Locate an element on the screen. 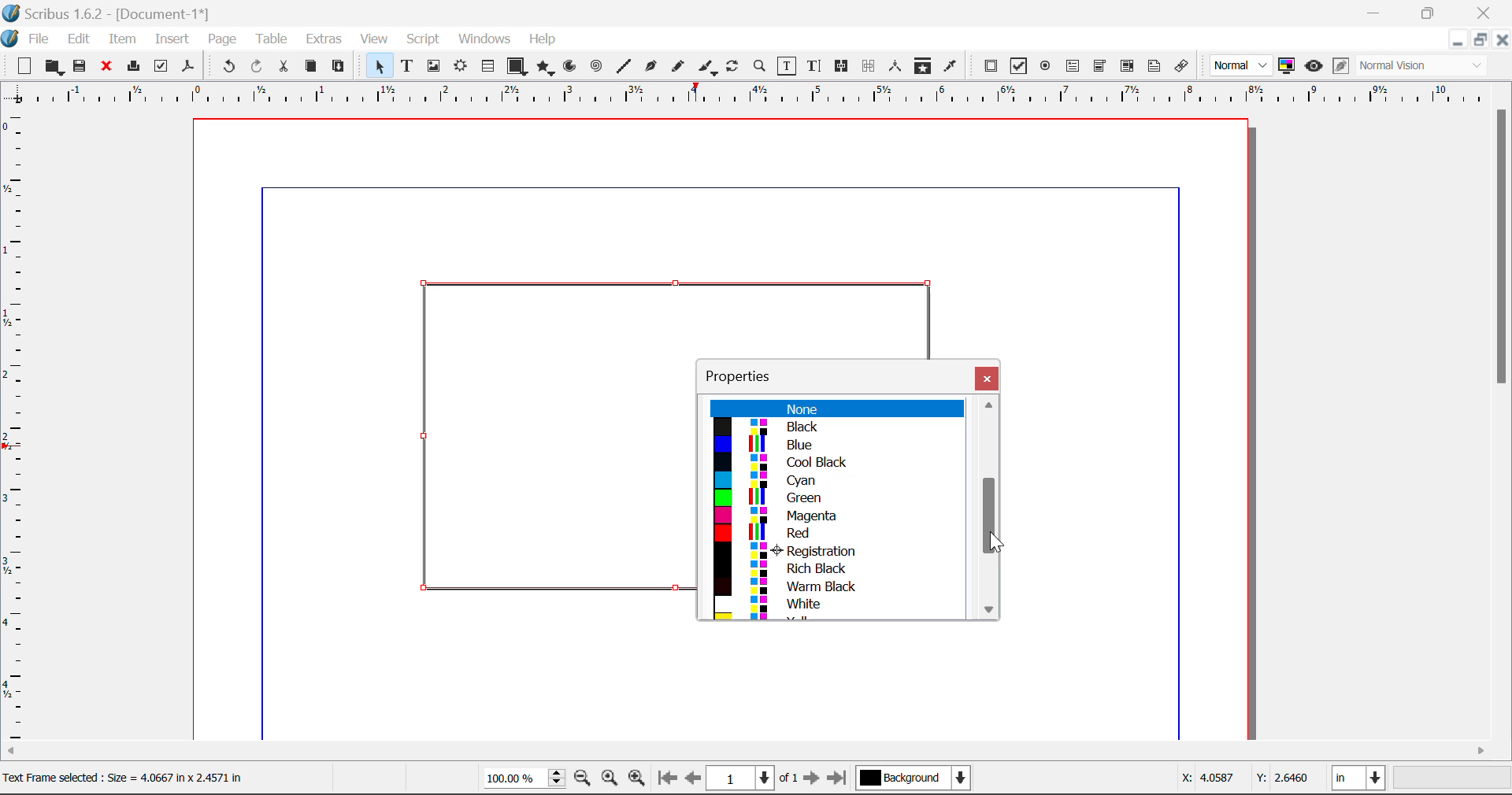 This screenshot has width=1512, height=795. Magenta is located at coordinates (837, 516).